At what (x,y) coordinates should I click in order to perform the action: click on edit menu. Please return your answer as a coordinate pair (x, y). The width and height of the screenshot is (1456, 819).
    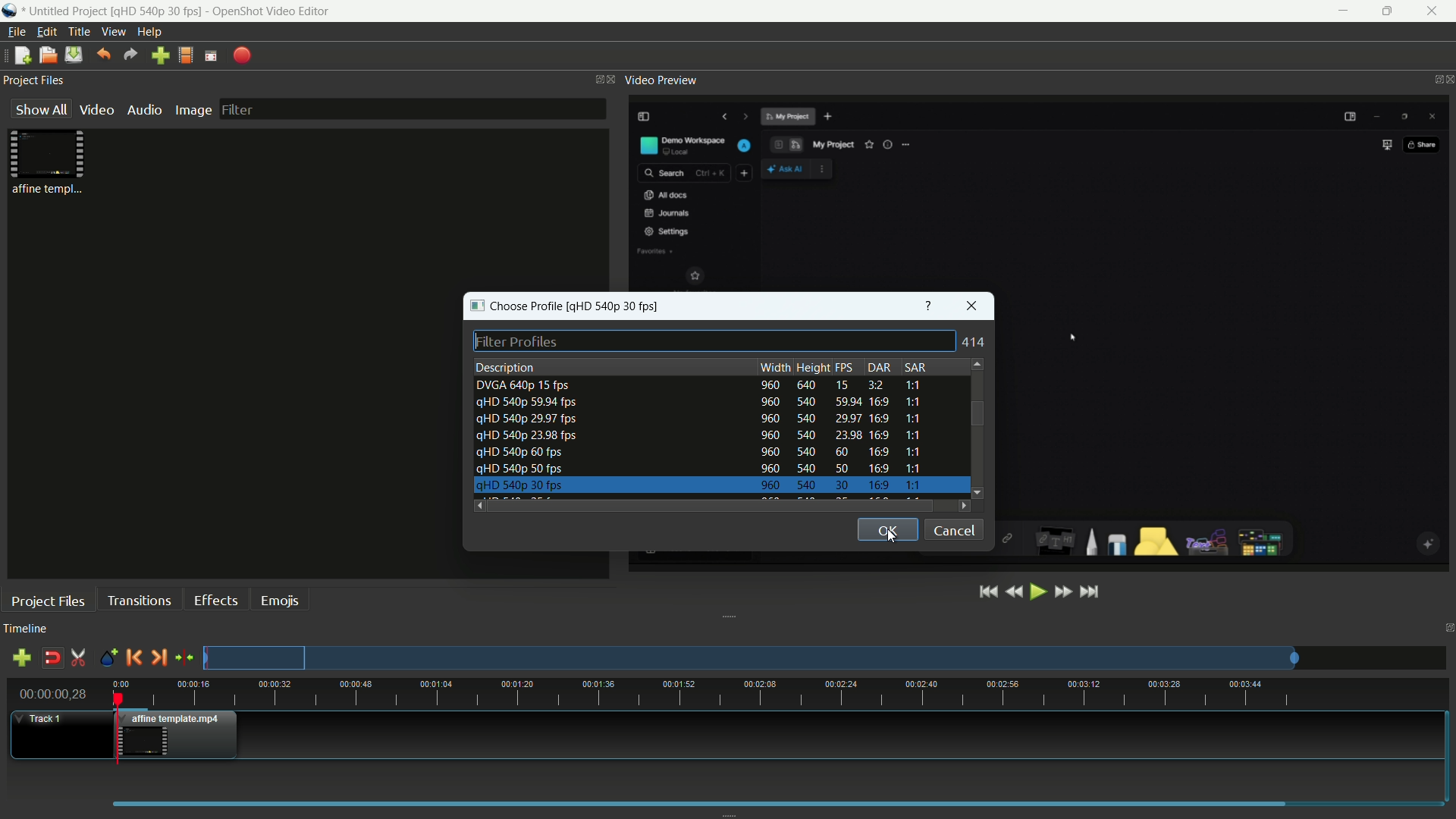
    Looking at the image, I should click on (46, 32).